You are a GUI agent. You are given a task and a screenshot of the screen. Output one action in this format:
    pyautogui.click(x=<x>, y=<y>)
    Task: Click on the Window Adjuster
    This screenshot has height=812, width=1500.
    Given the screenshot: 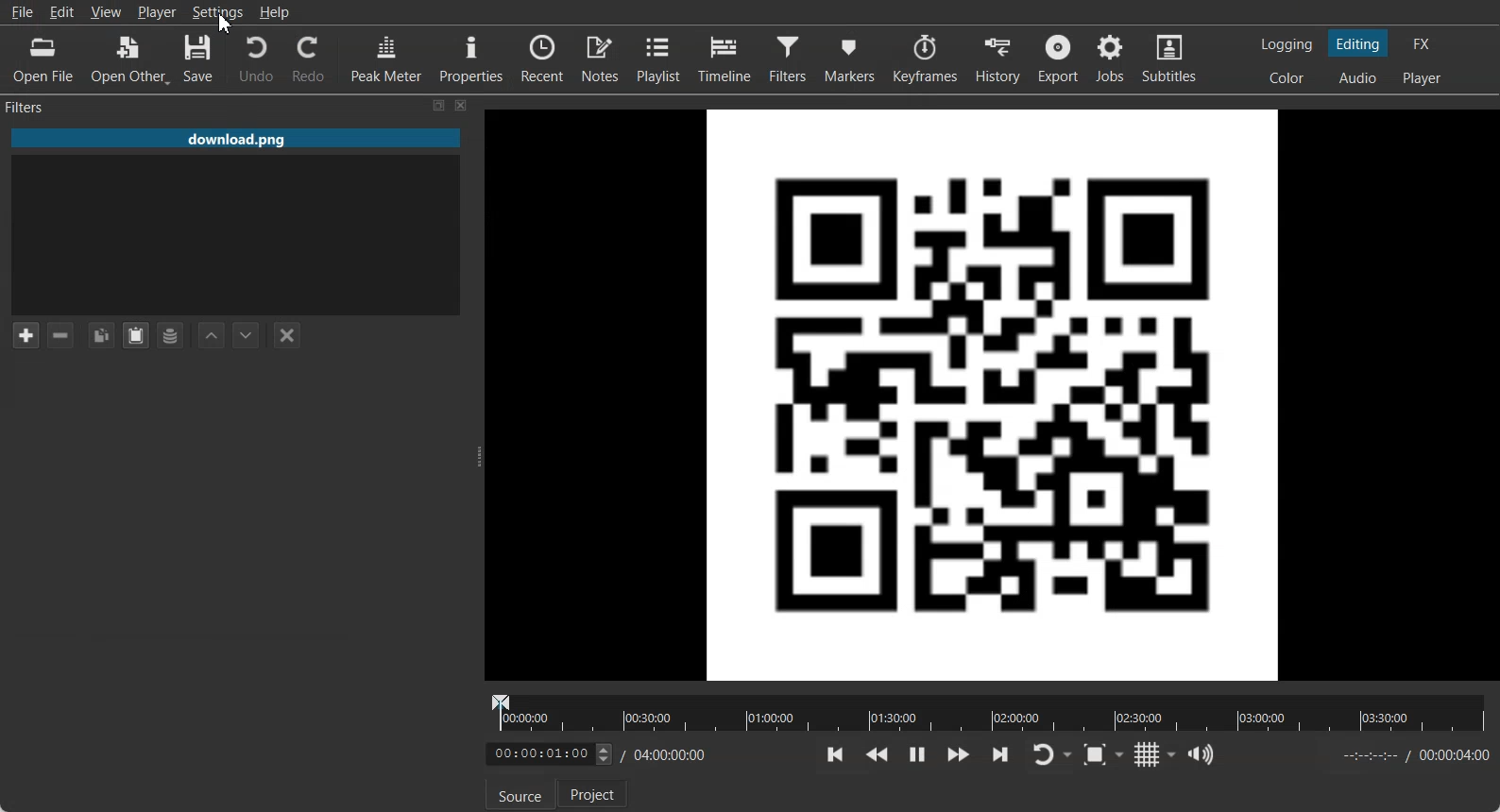 What is the action you would take?
    pyautogui.click(x=477, y=456)
    